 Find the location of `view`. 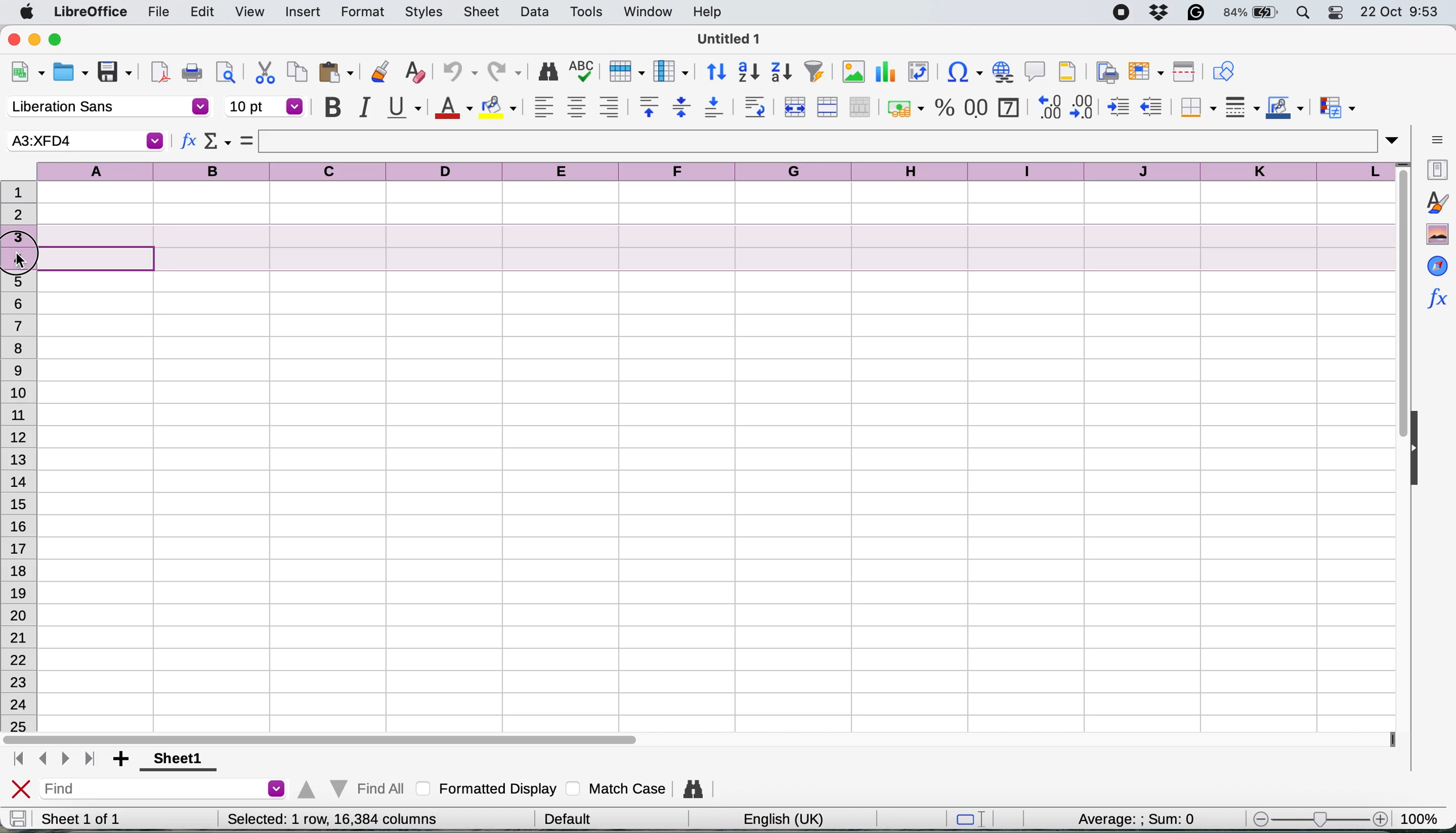

view is located at coordinates (249, 12).